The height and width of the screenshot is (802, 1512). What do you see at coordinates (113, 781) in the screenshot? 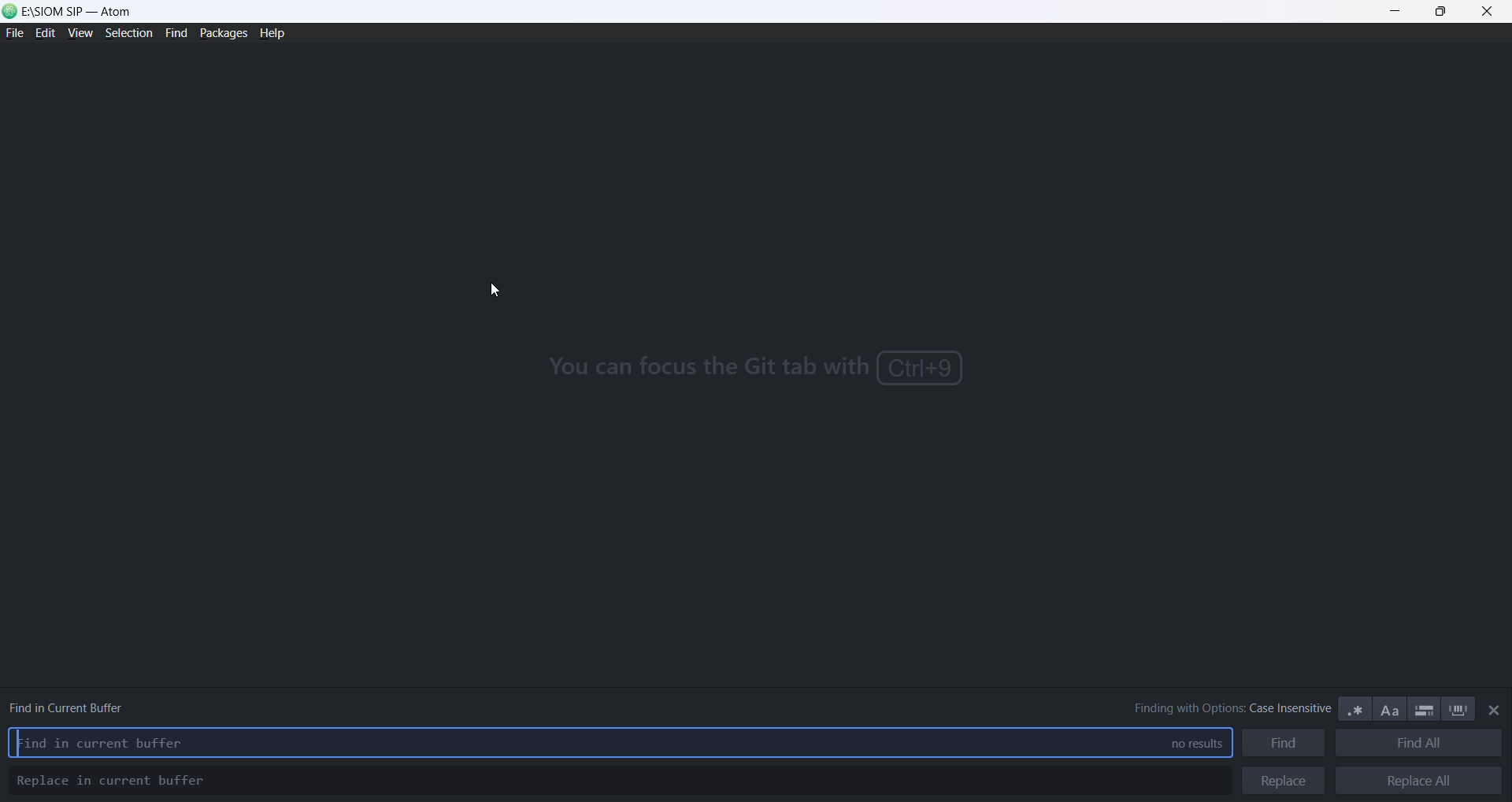
I see `replace in current buffer` at bounding box center [113, 781].